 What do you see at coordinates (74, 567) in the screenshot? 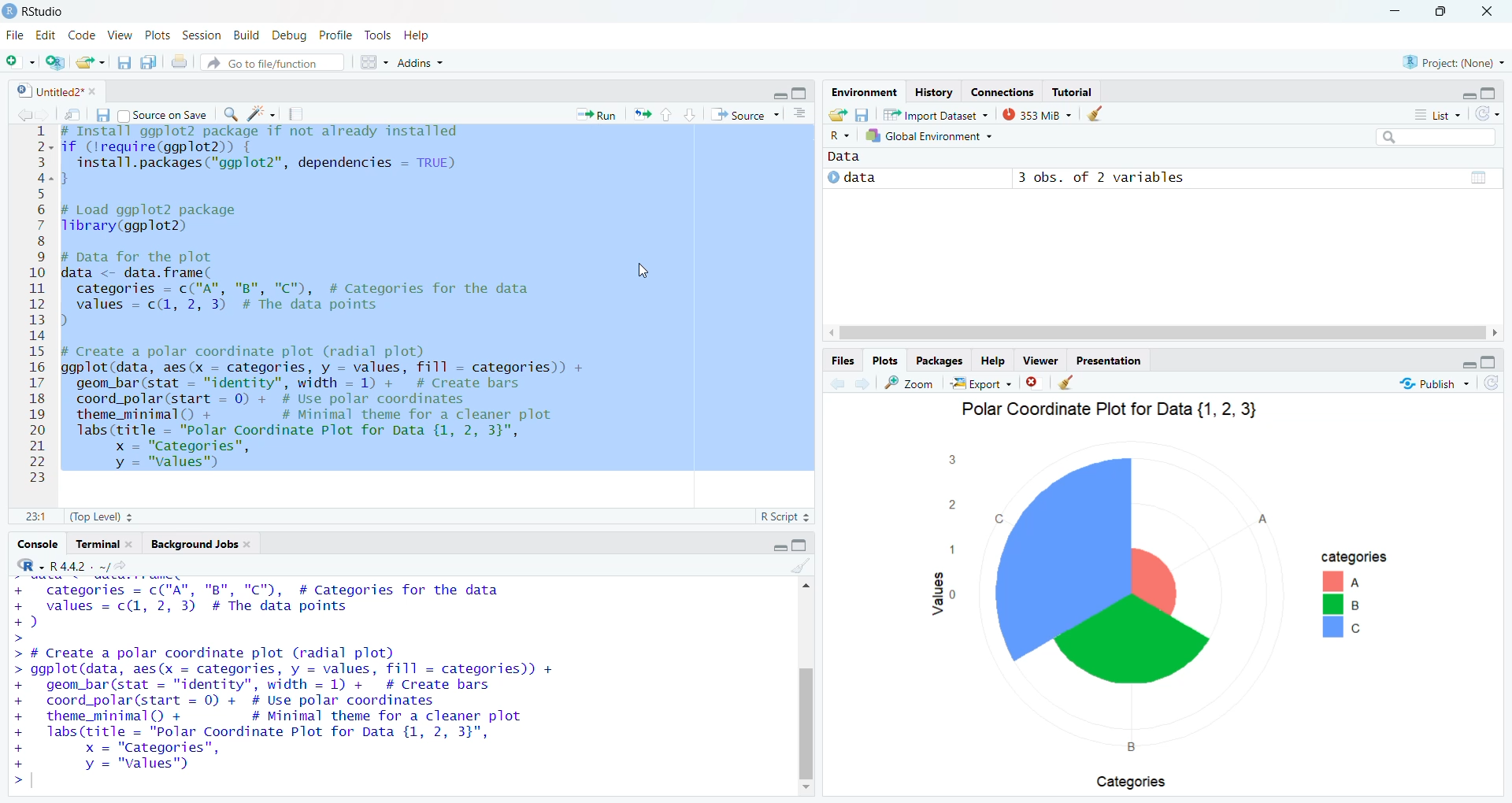
I see `‘R-R442. ~/` at bounding box center [74, 567].